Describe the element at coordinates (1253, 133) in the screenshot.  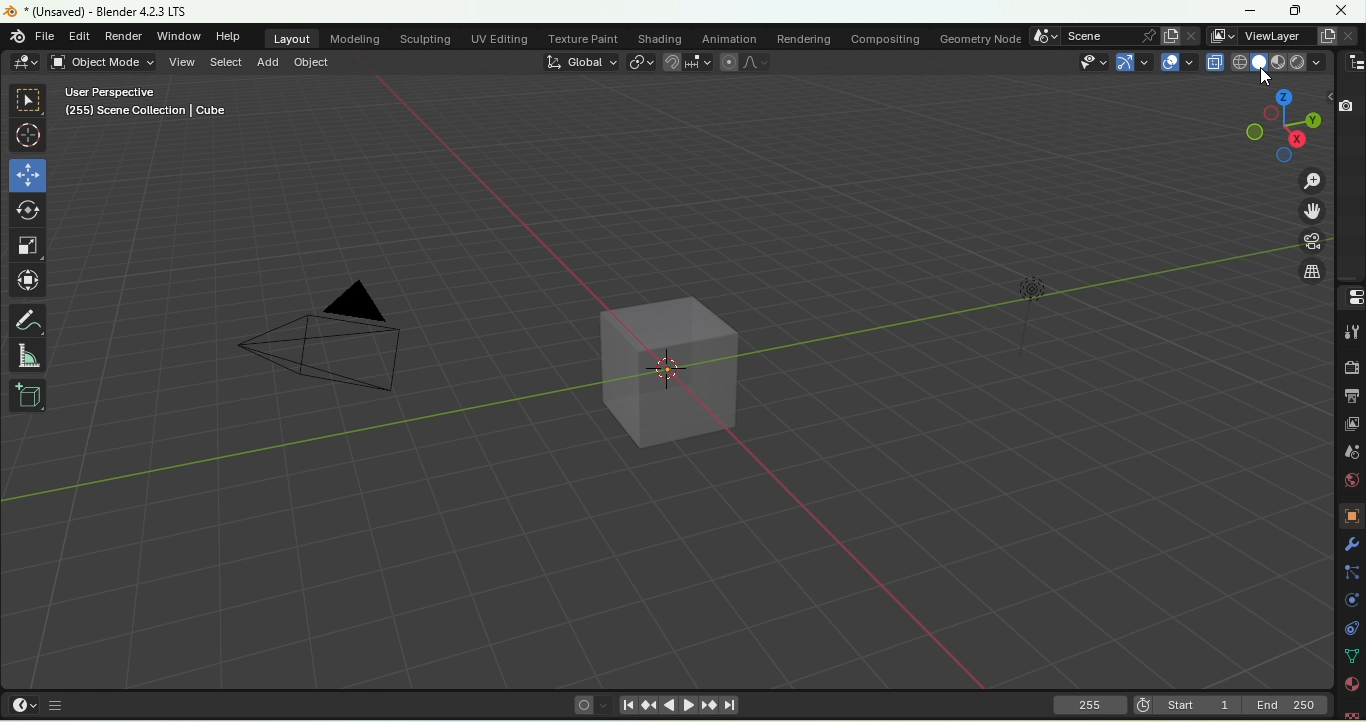
I see `Rotate the view` at that location.